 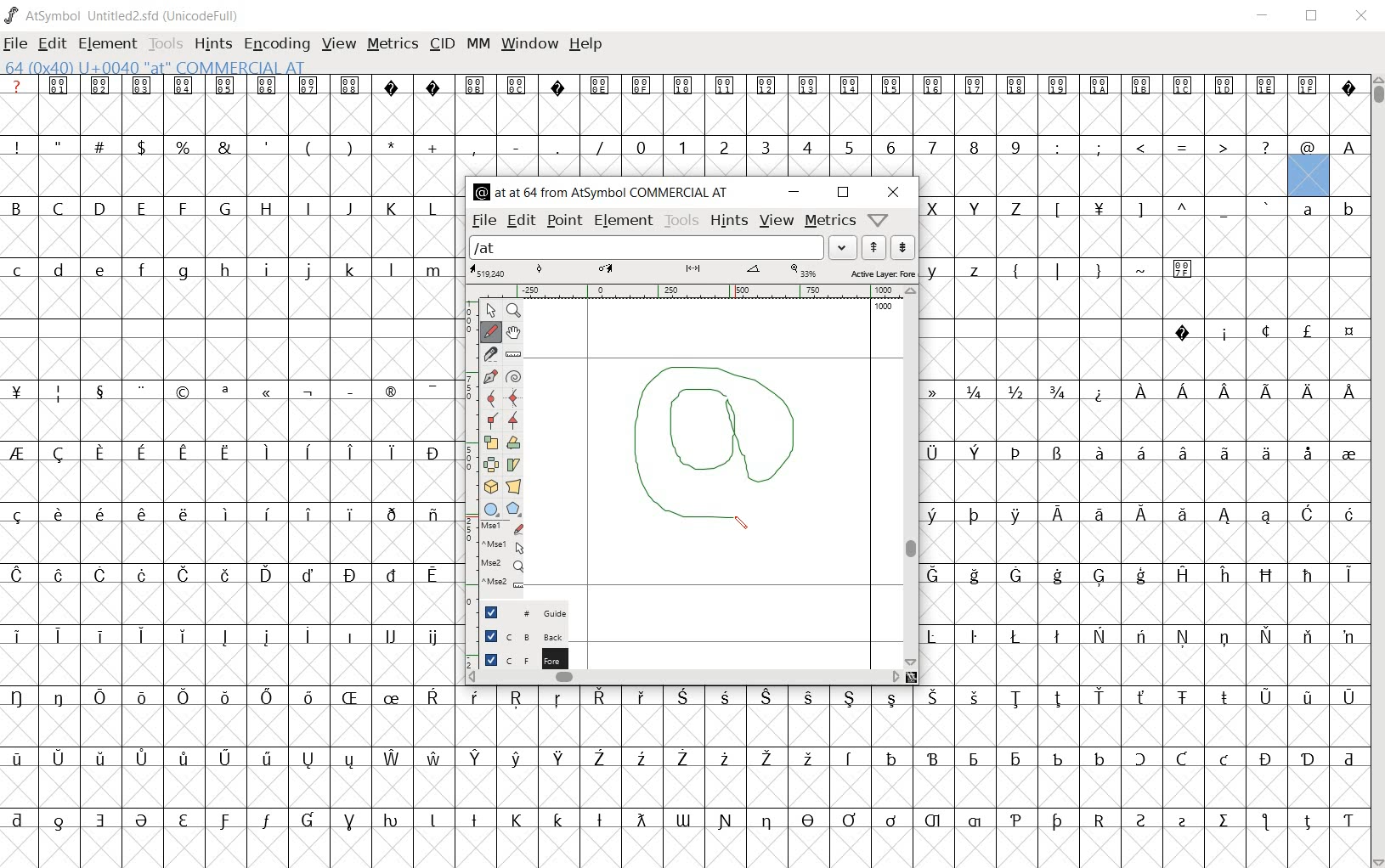 What do you see at coordinates (647, 247) in the screenshot?
I see `load word list` at bounding box center [647, 247].